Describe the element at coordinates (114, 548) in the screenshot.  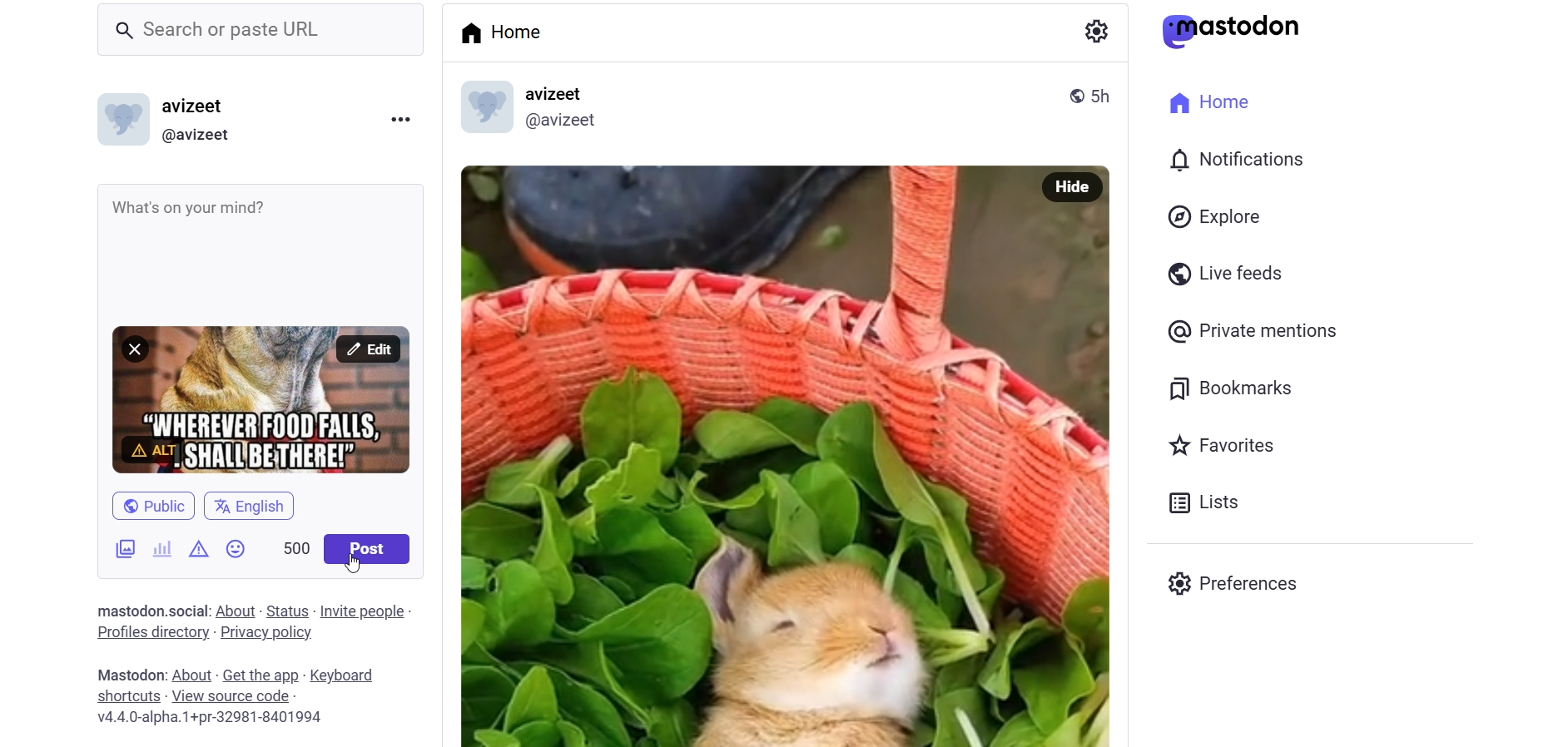
I see `ijmages/videos` at that location.